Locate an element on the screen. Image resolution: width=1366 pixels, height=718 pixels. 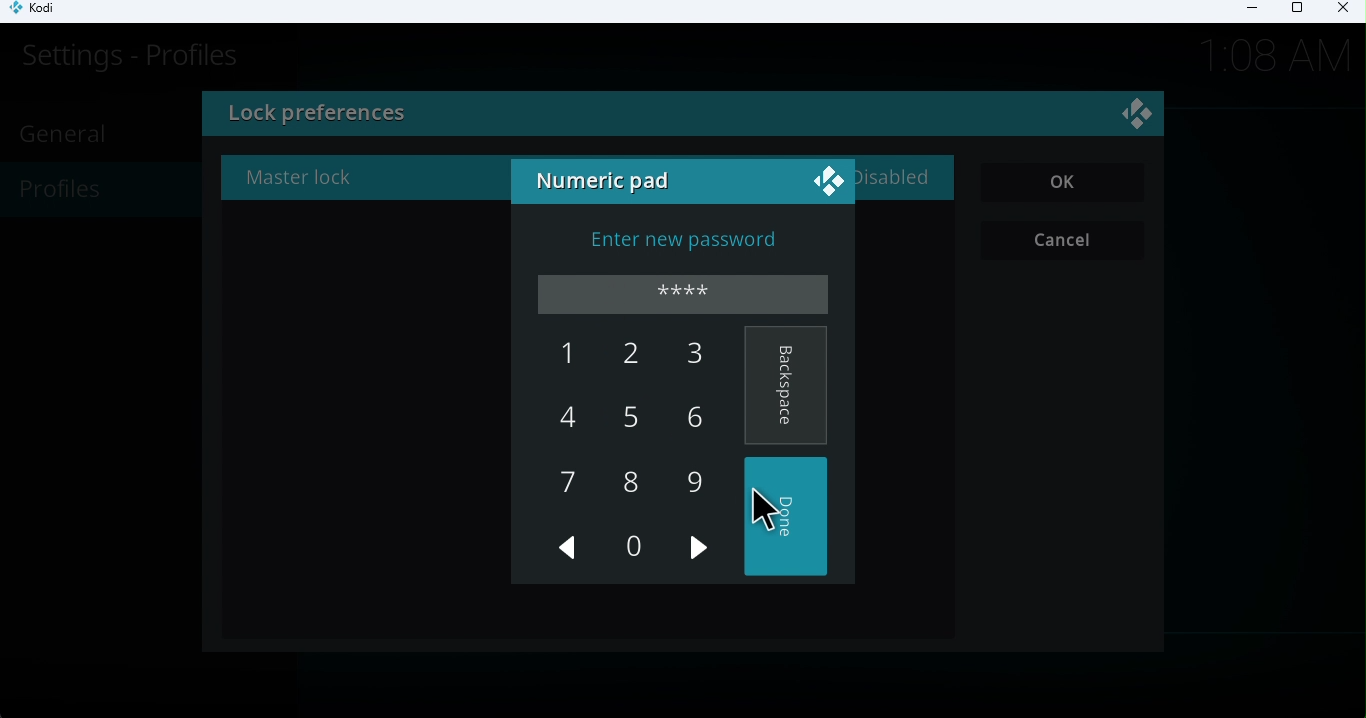
8 is located at coordinates (629, 482).